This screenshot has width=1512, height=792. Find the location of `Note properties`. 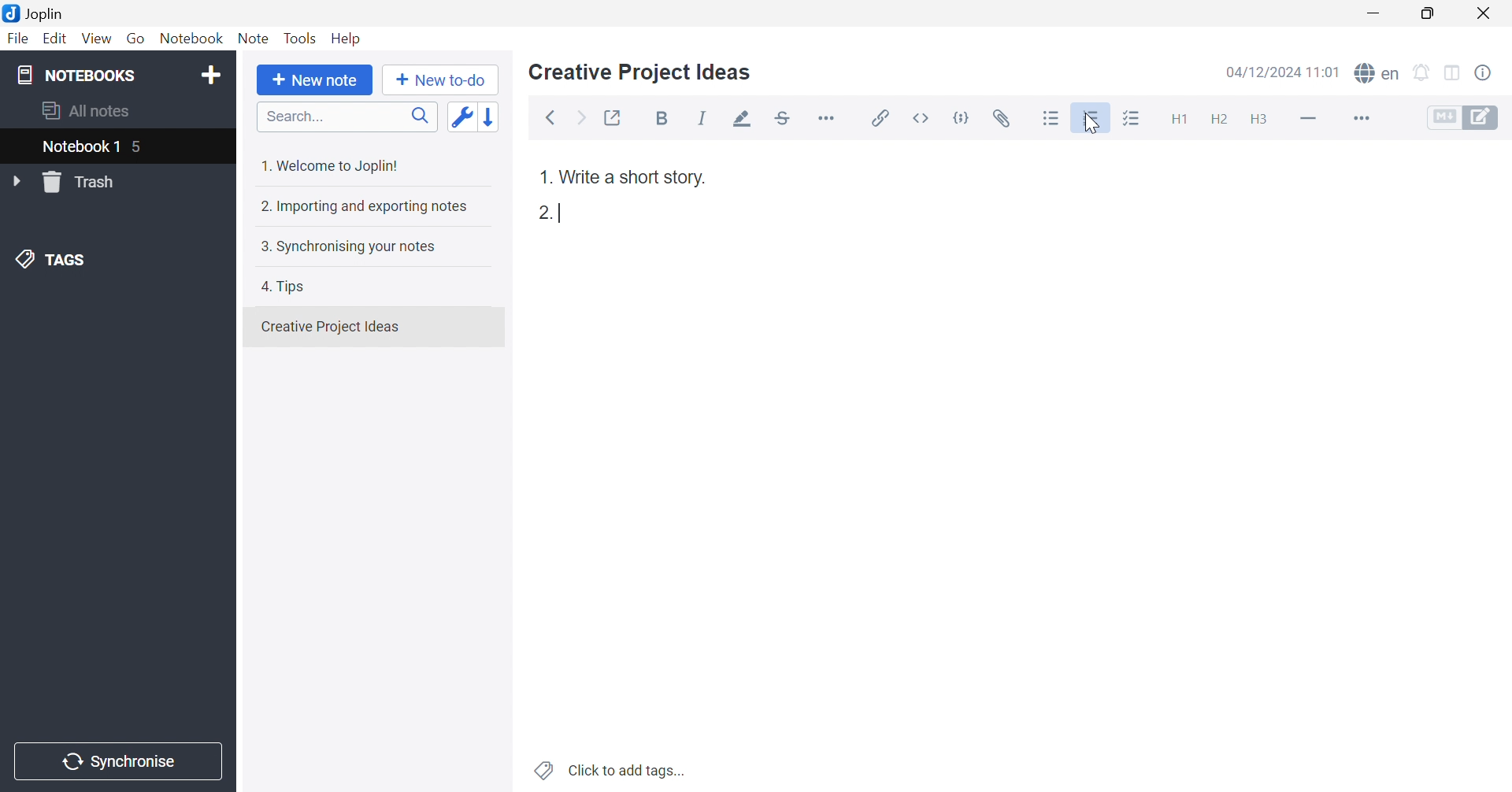

Note properties is located at coordinates (1492, 73).